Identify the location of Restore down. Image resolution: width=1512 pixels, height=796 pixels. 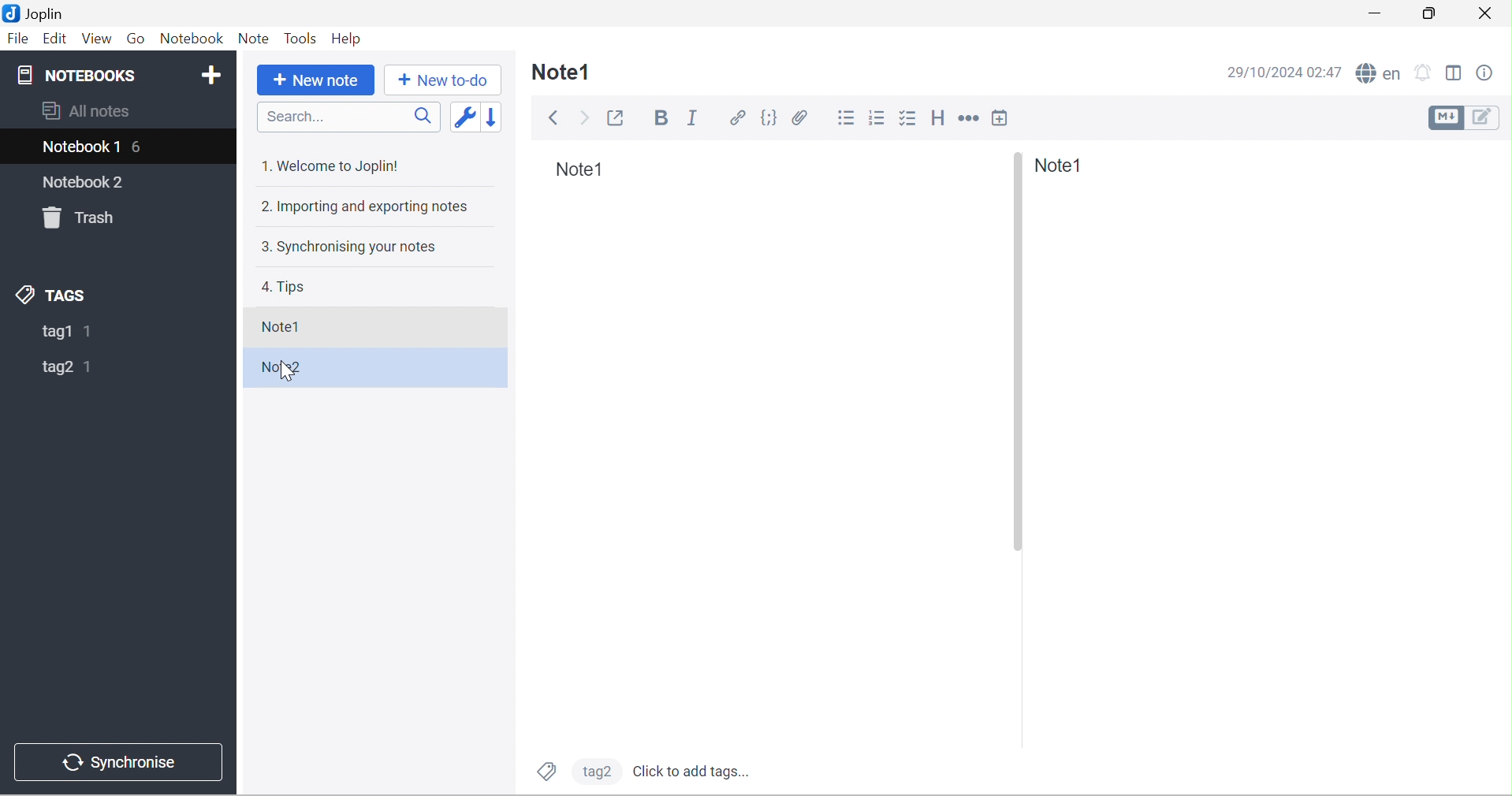
(1429, 15).